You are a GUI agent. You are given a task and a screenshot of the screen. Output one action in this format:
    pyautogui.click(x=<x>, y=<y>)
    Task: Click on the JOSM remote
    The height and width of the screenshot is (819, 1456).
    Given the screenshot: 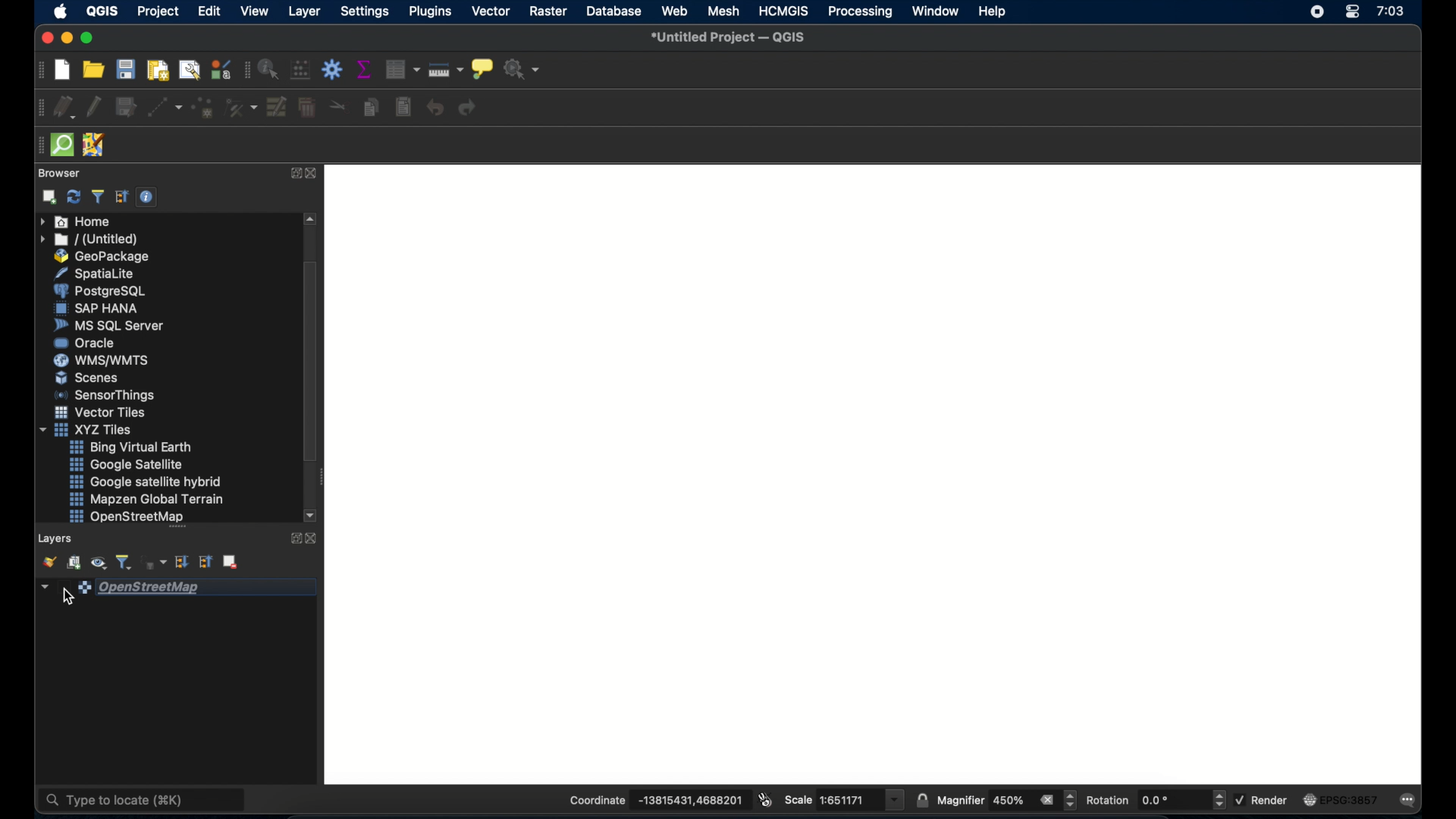 What is the action you would take?
    pyautogui.click(x=95, y=145)
    